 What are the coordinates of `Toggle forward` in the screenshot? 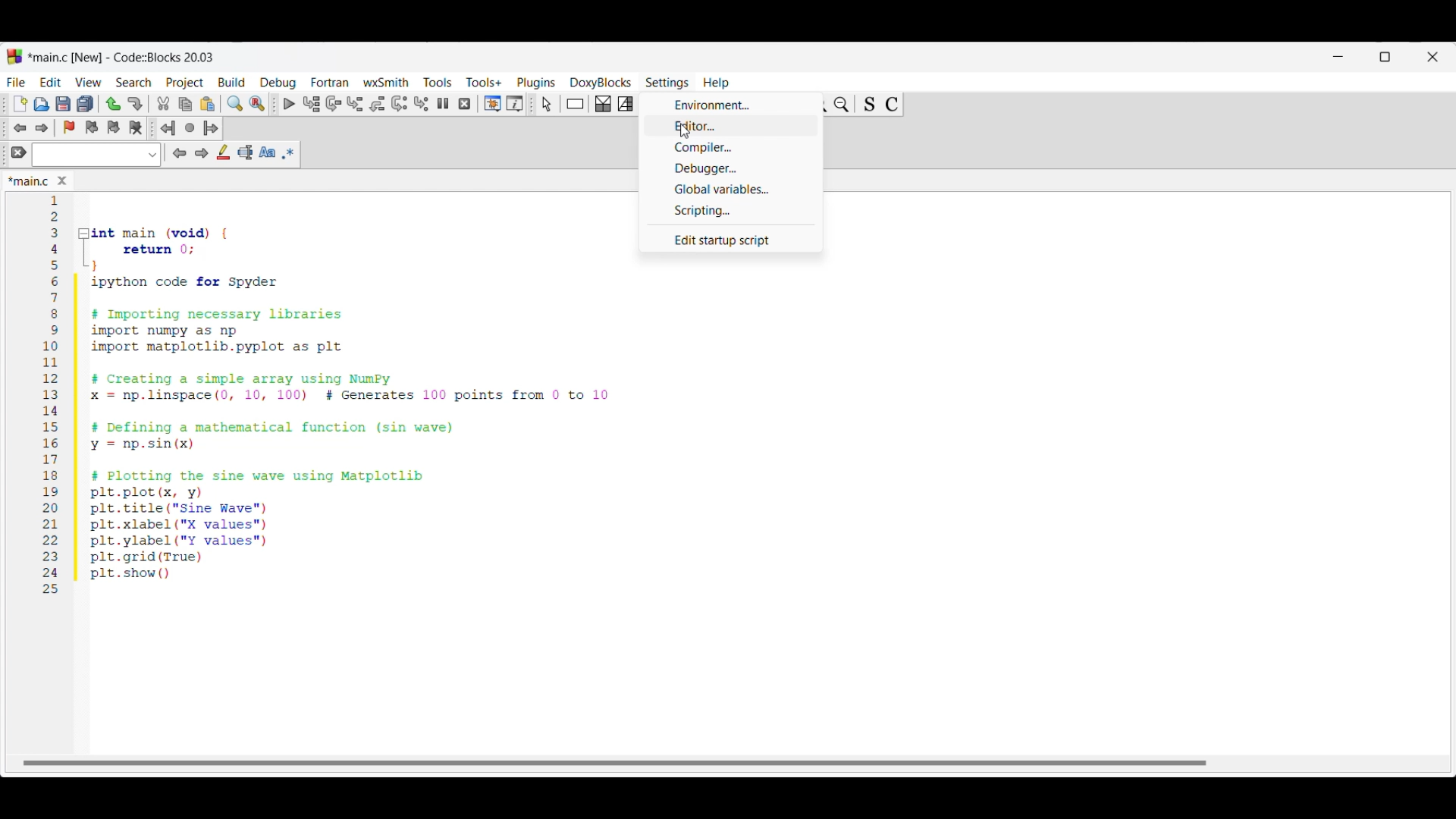 It's located at (42, 128).